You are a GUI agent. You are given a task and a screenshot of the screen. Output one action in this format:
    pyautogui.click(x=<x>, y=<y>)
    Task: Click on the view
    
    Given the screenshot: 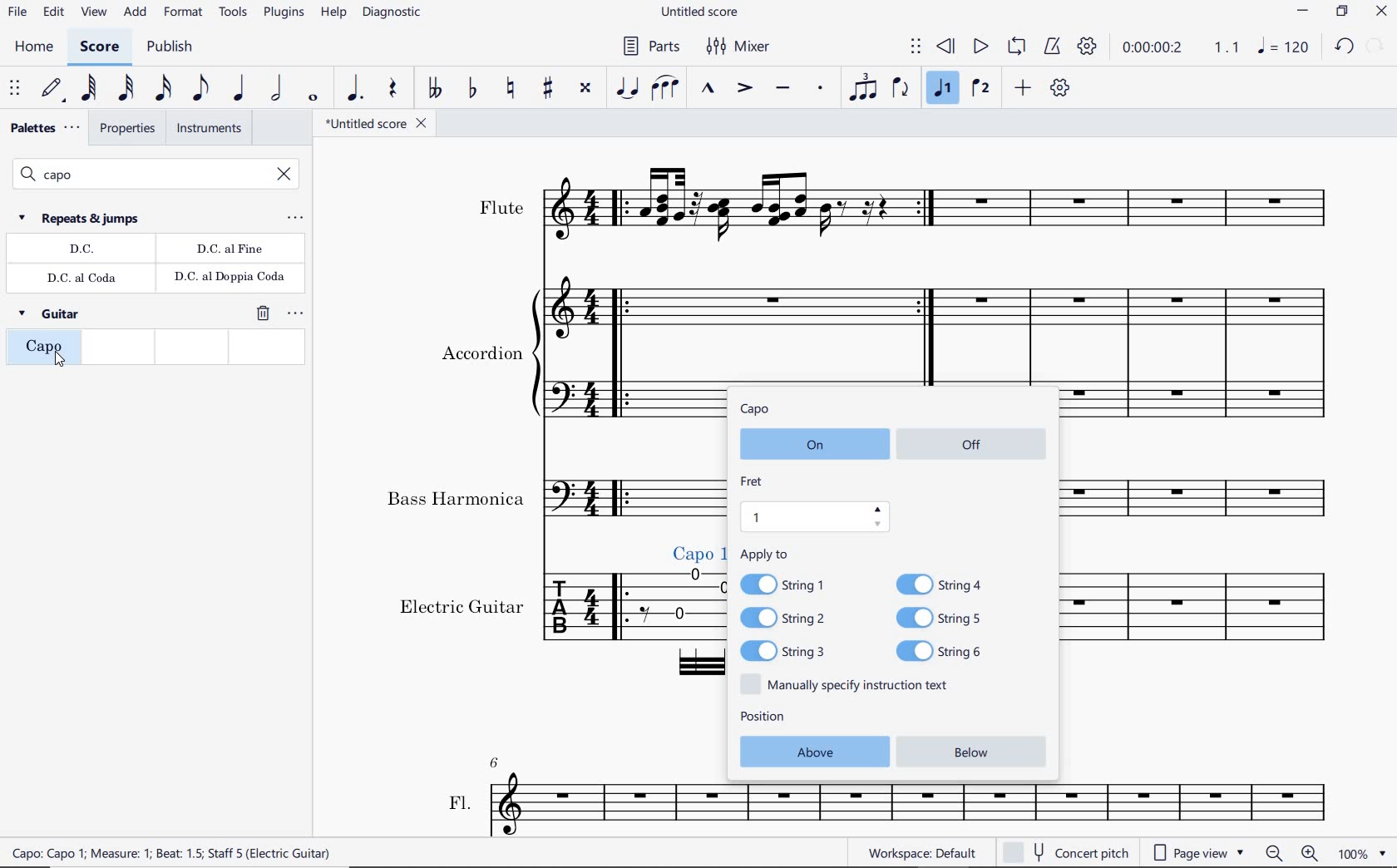 What is the action you would take?
    pyautogui.click(x=94, y=13)
    